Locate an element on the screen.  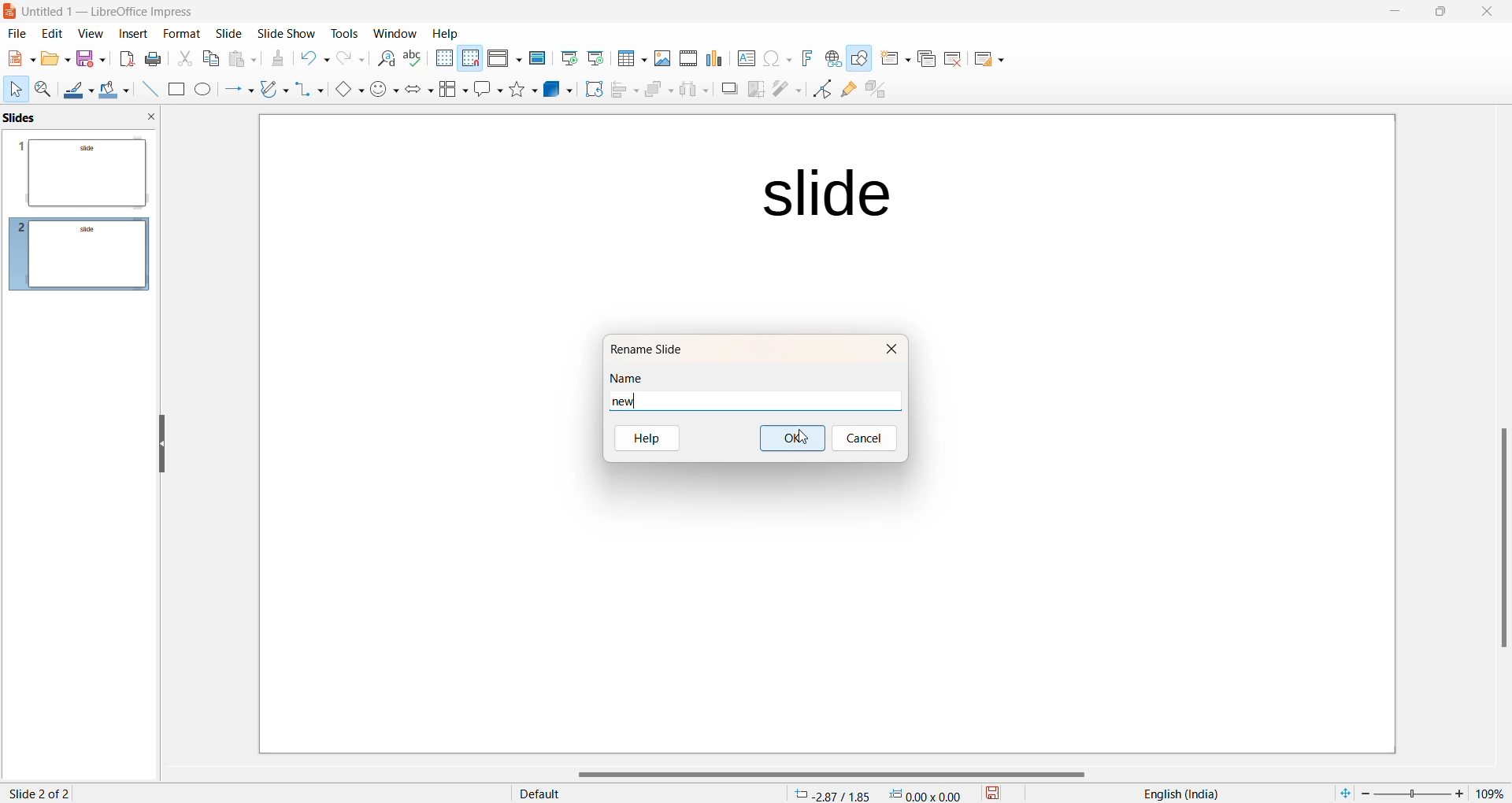
ok is located at coordinates (791, 439).